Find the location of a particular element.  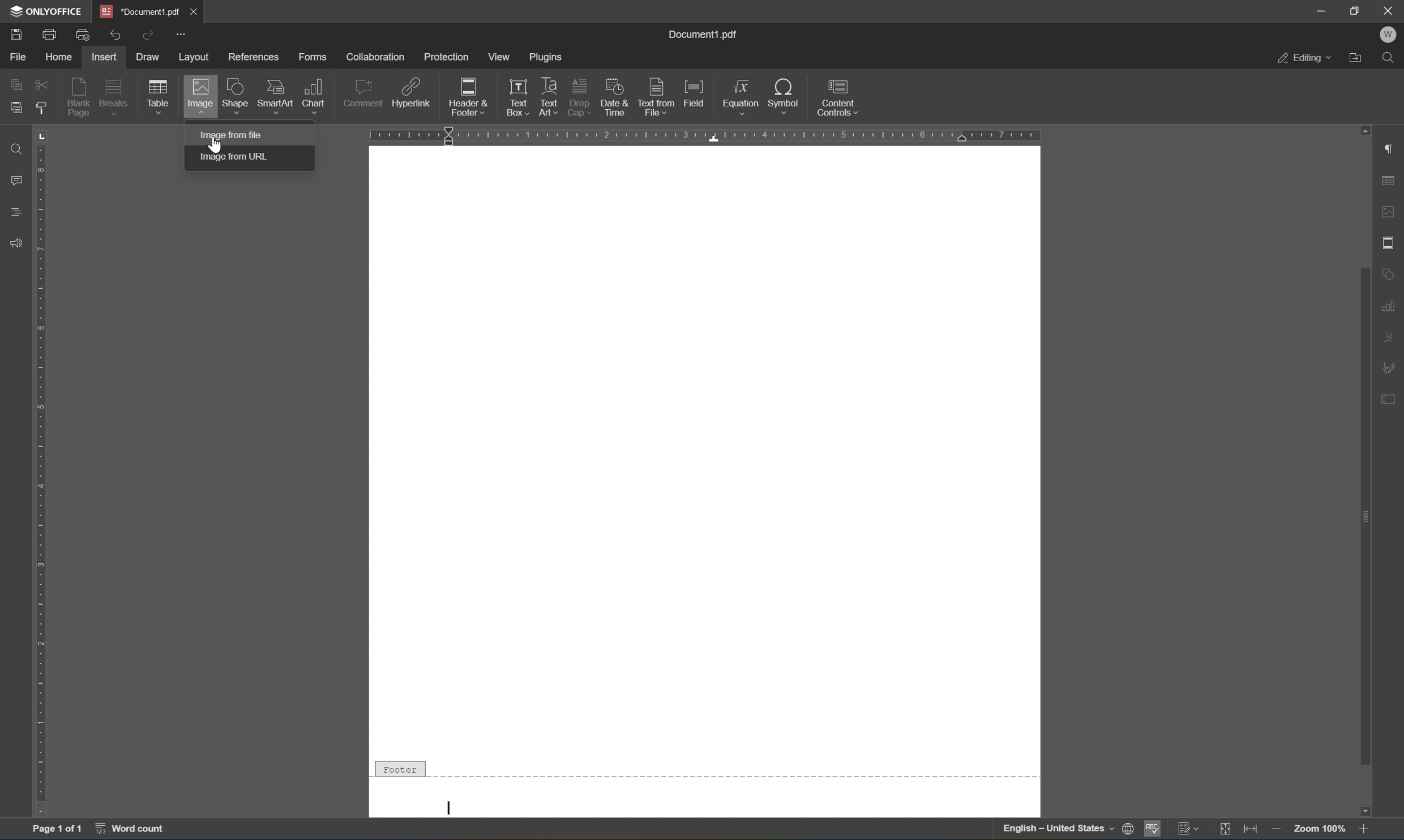

open file location is located at coordinates (1358, 59).